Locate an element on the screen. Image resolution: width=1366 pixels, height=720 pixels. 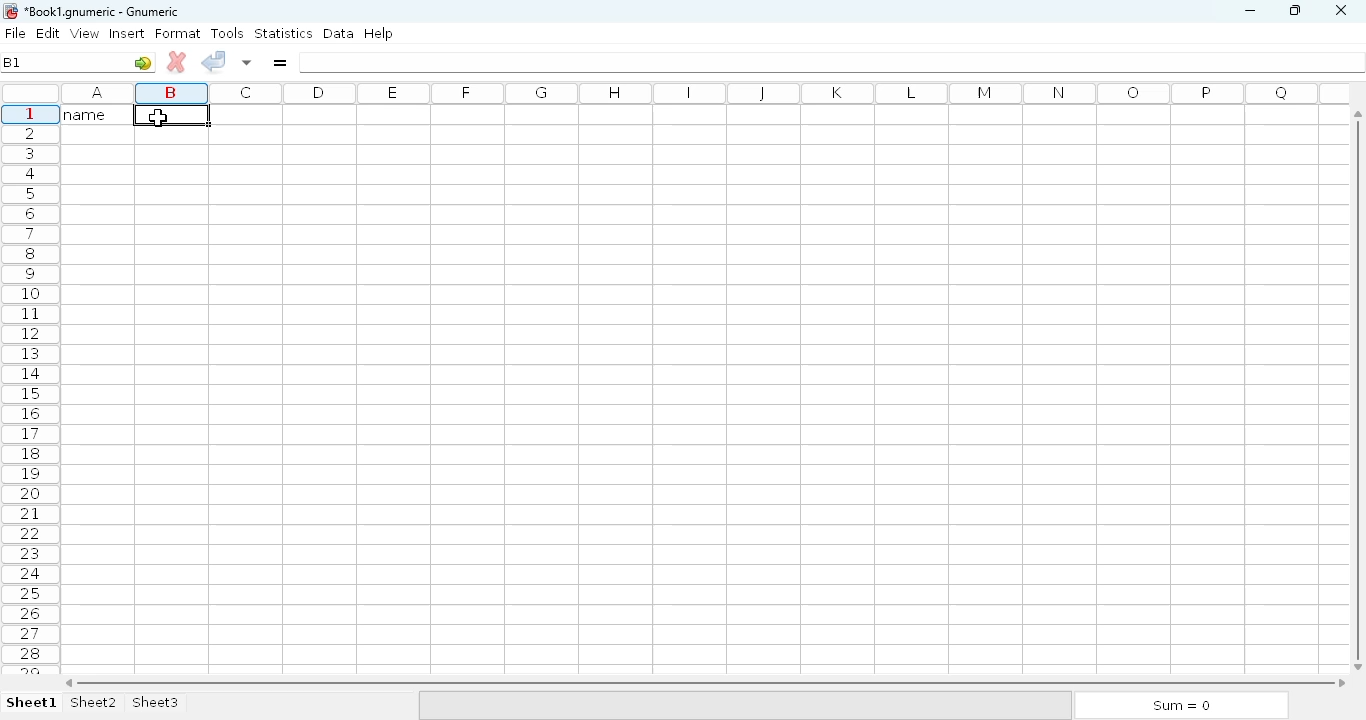
help is located at coordinates (378, 34).